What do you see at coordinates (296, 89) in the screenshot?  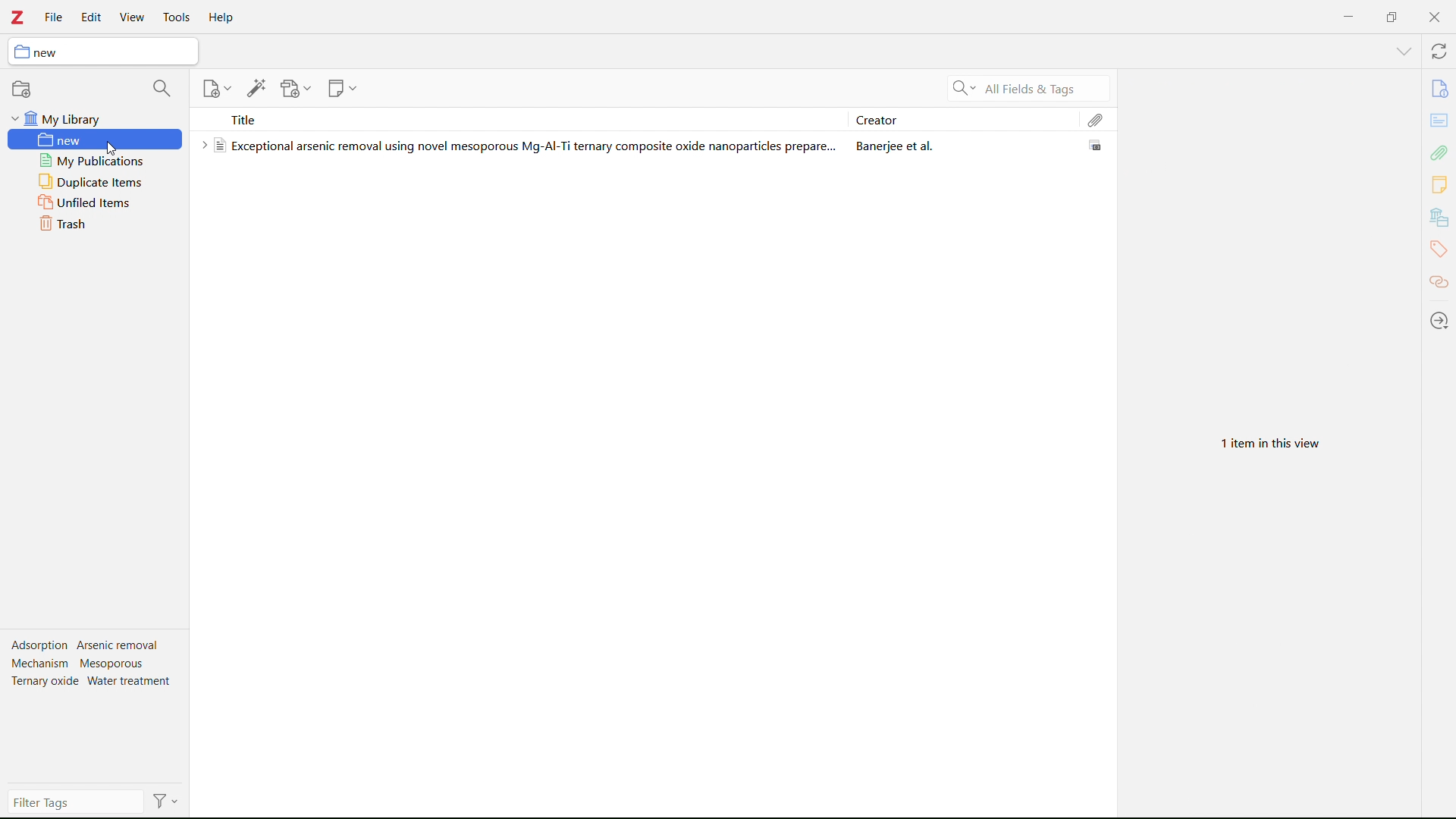 I see `add attachments` at bounding box center [296, 89].